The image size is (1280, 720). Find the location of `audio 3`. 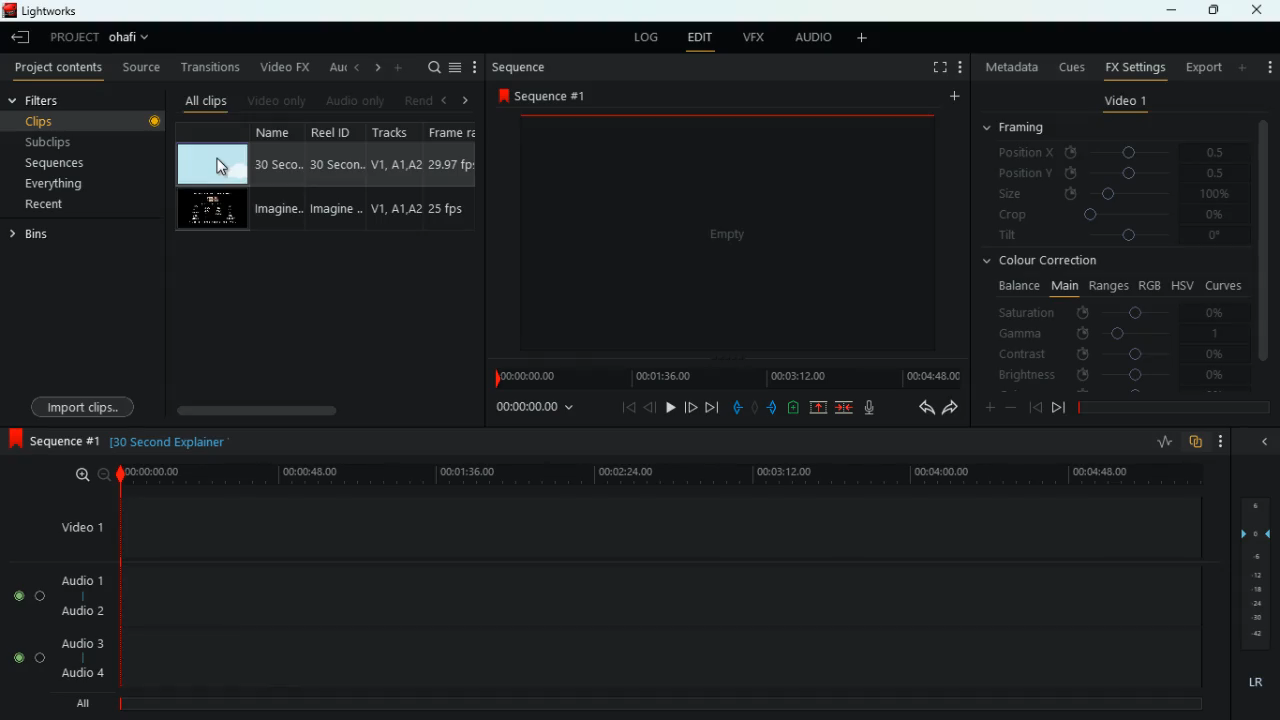

audio 3 is located at coordinates (81, 644).